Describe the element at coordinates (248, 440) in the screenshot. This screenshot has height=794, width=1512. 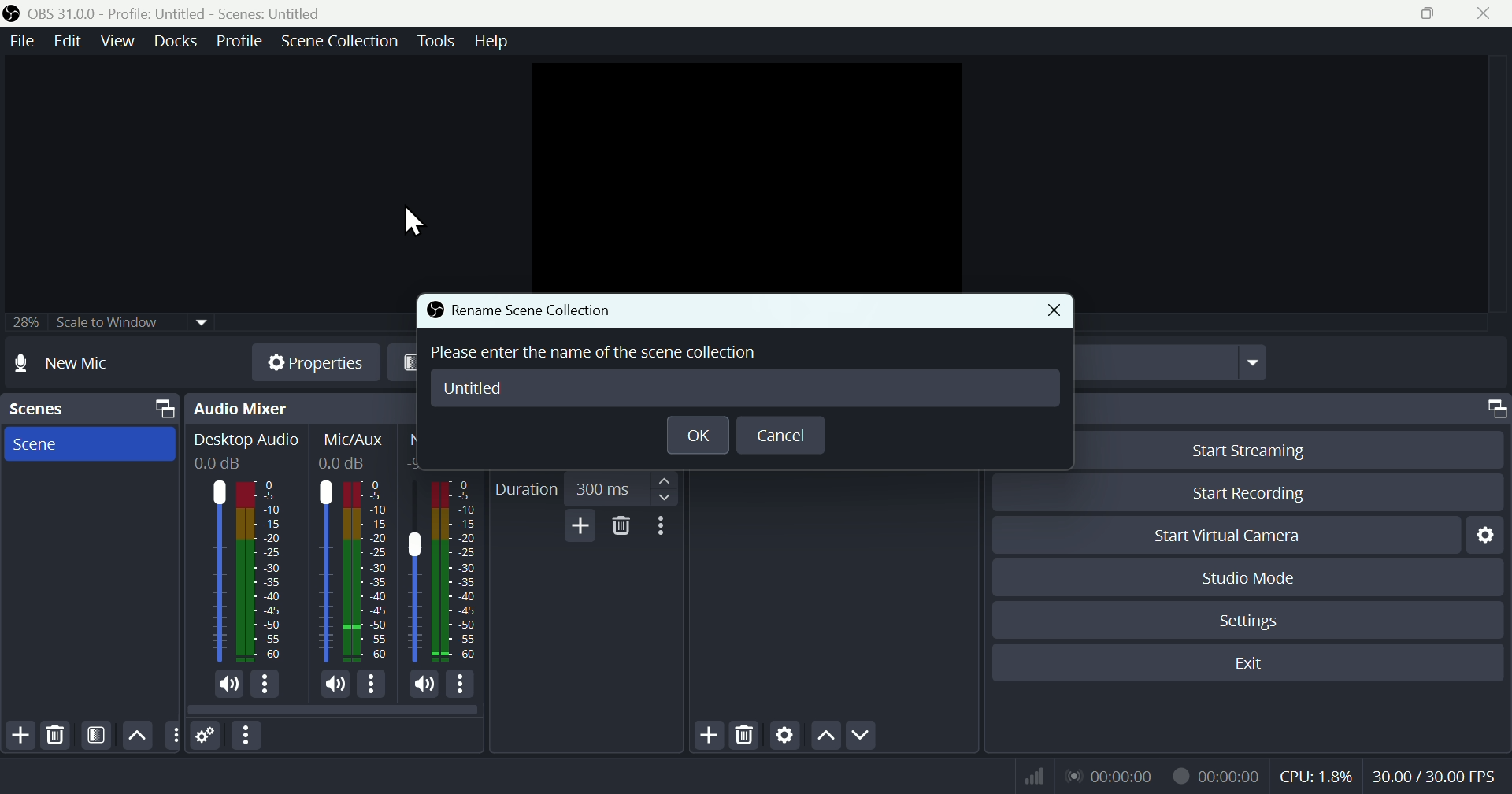
I see `Desktop Audio` at that location.